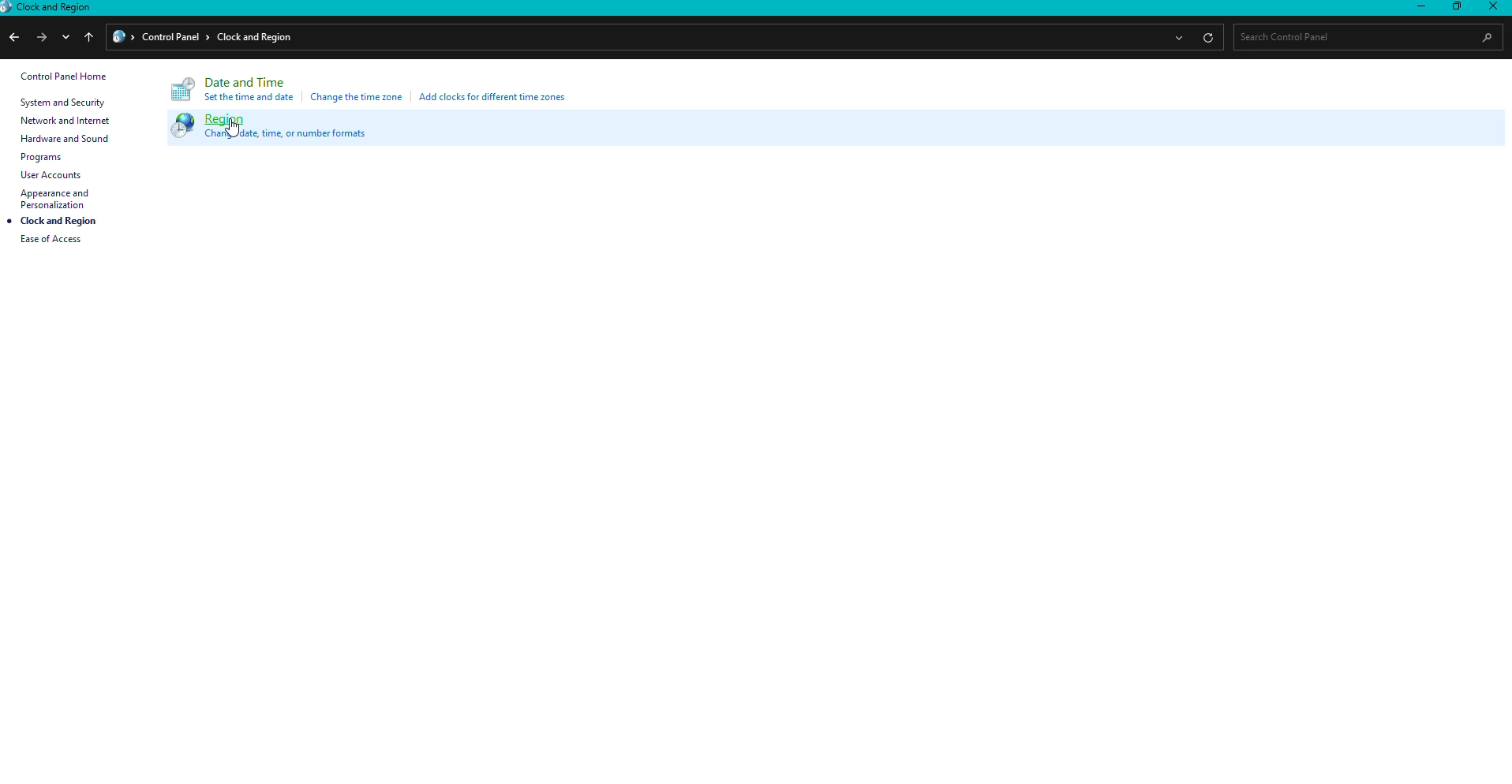 Image resolution: width=1512 pixels, height=784 pixels. What do you see at coordinates (1207, 37) in the screenshot?
I see `refresh` at bounding box center [1207, 37].